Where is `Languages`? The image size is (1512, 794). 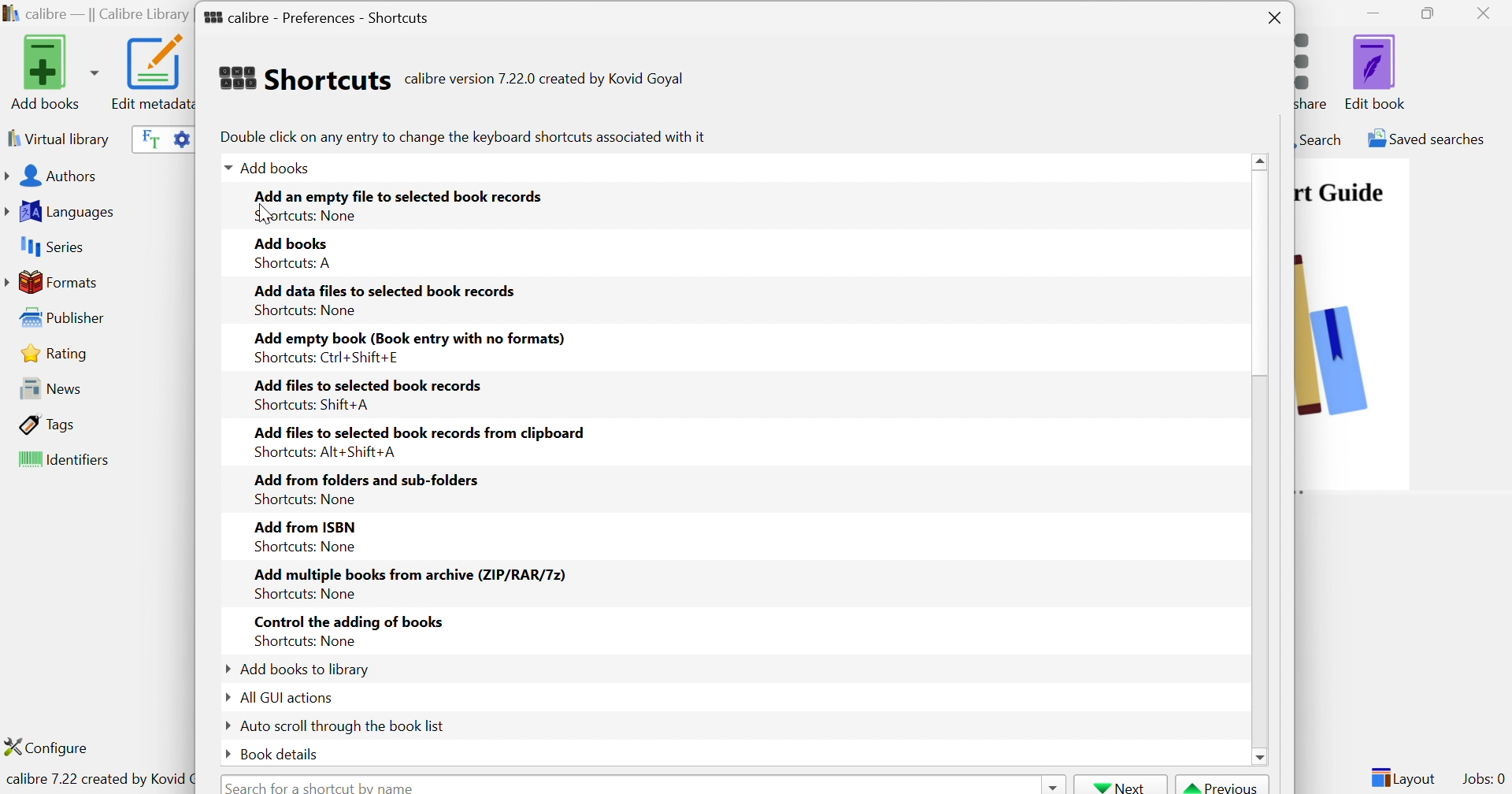 Languages is located at coordinates (62, 212).